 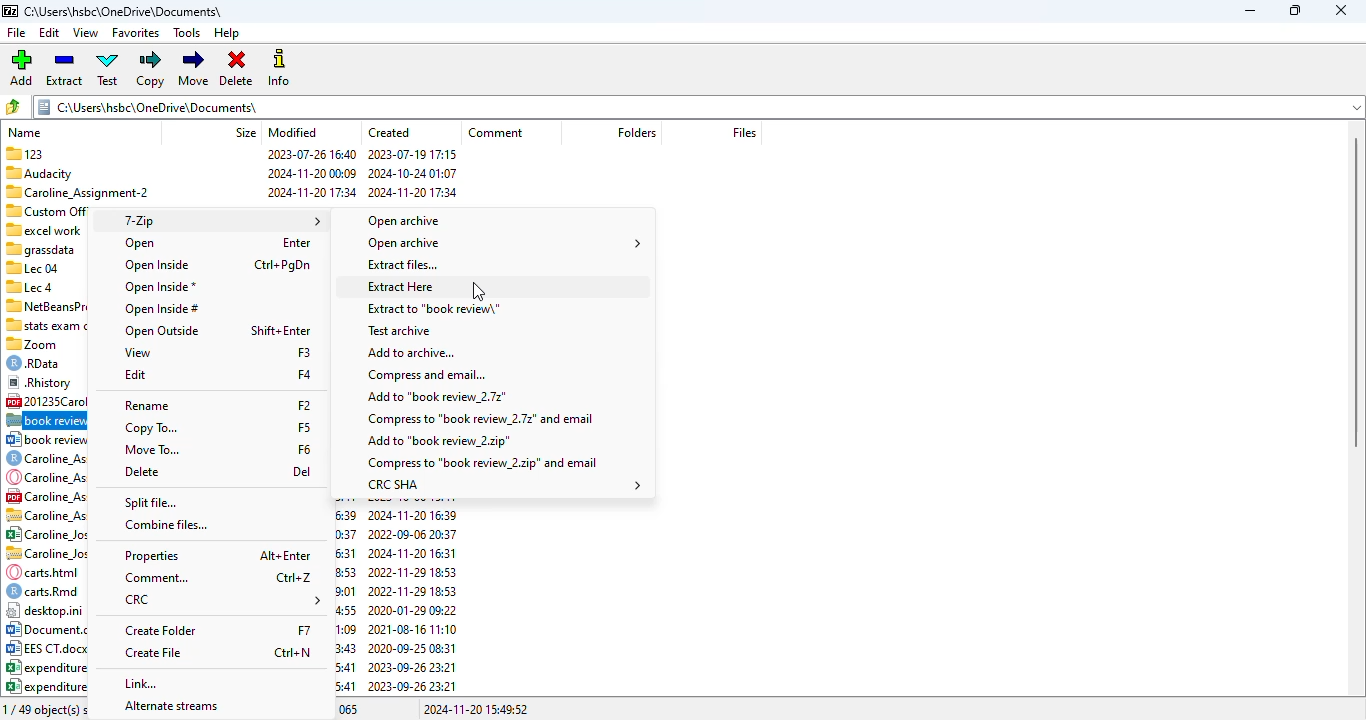 I want to click on open inside#, so click(x=161, y=309).